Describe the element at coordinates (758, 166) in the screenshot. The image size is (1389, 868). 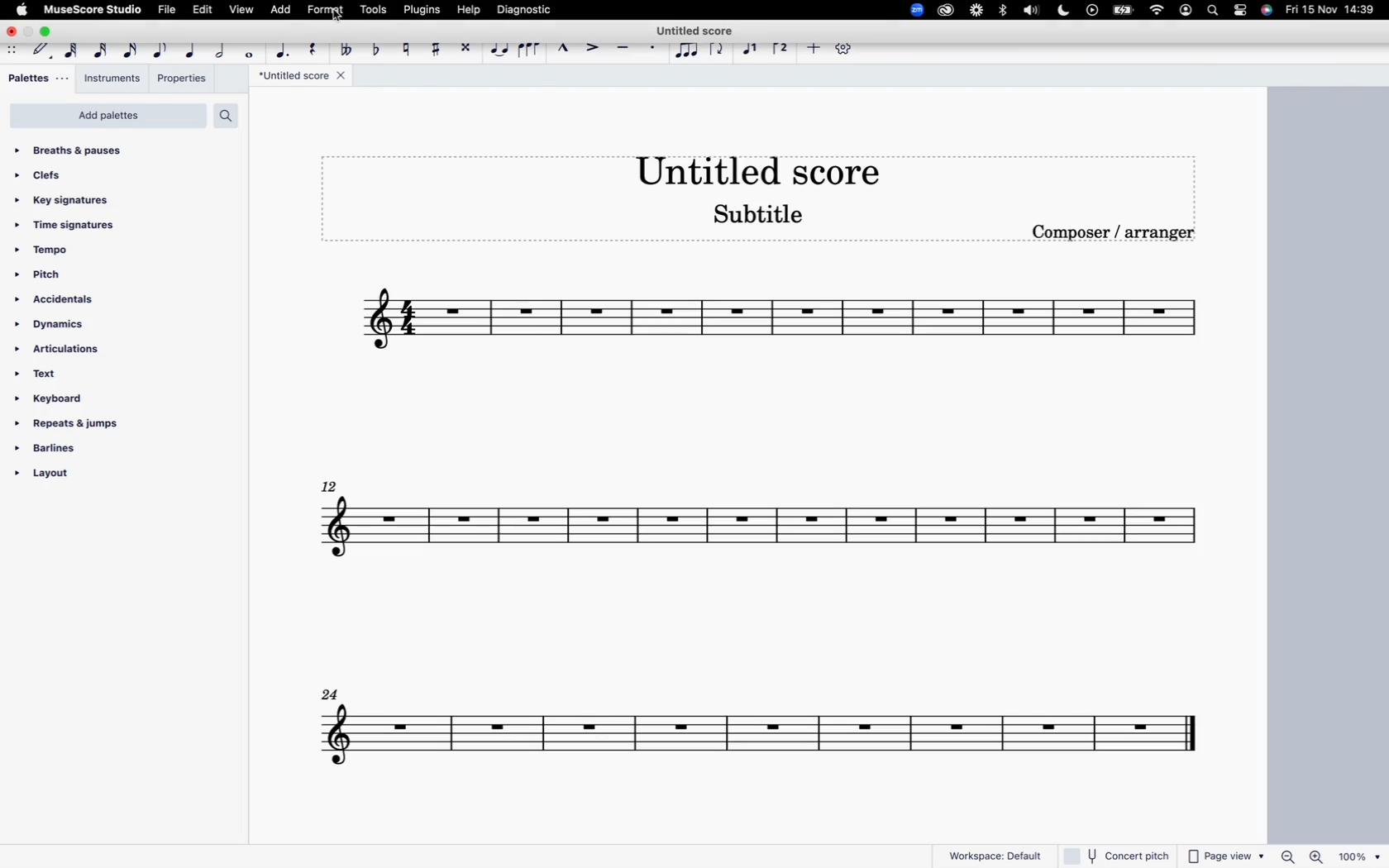
I see `score title` at that location.